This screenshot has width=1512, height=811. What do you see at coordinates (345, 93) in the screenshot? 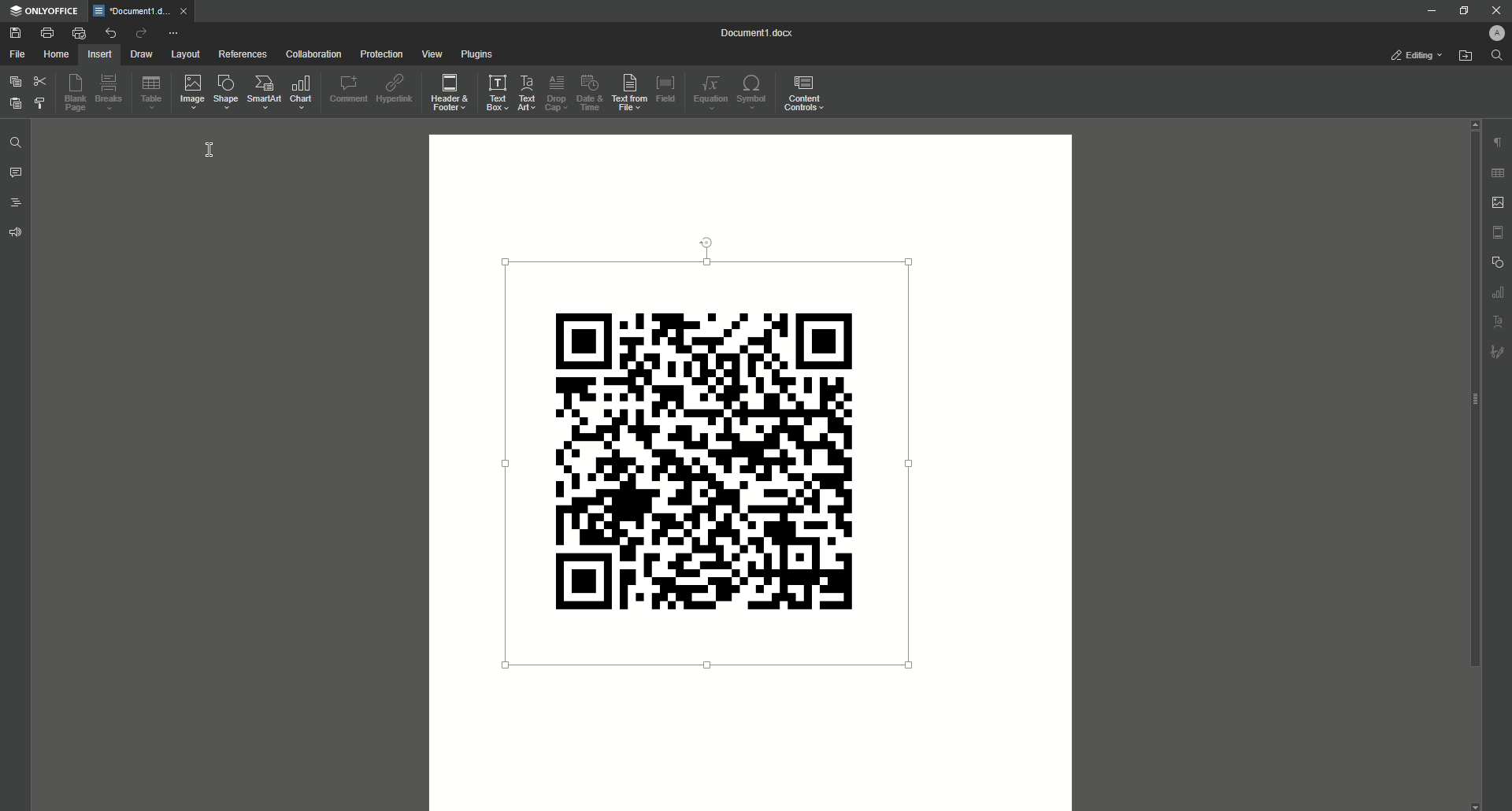
I see `Comment` at bounding box center [345, 93].